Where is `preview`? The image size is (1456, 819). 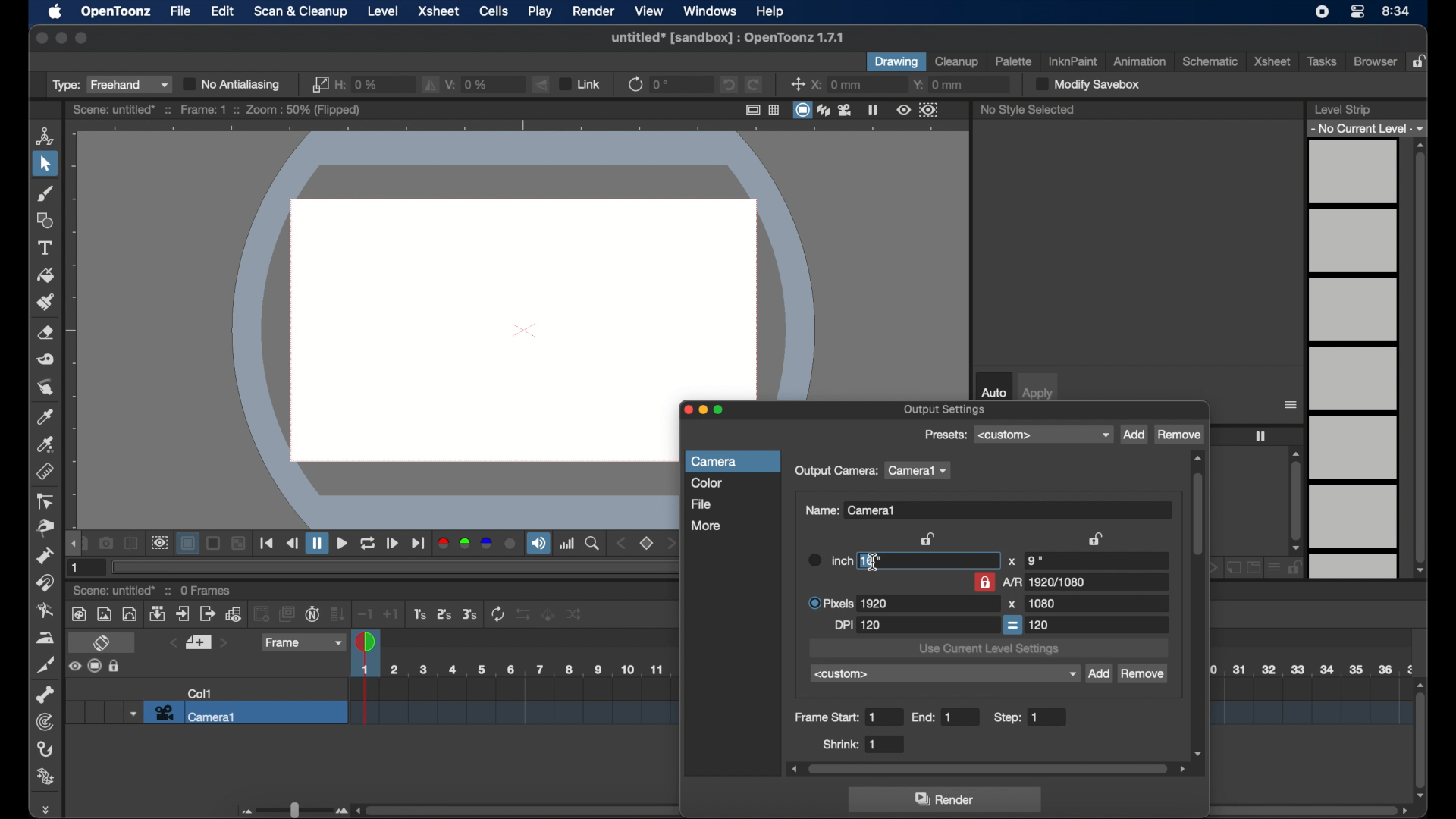 preview is located at coordinates (159, 543).